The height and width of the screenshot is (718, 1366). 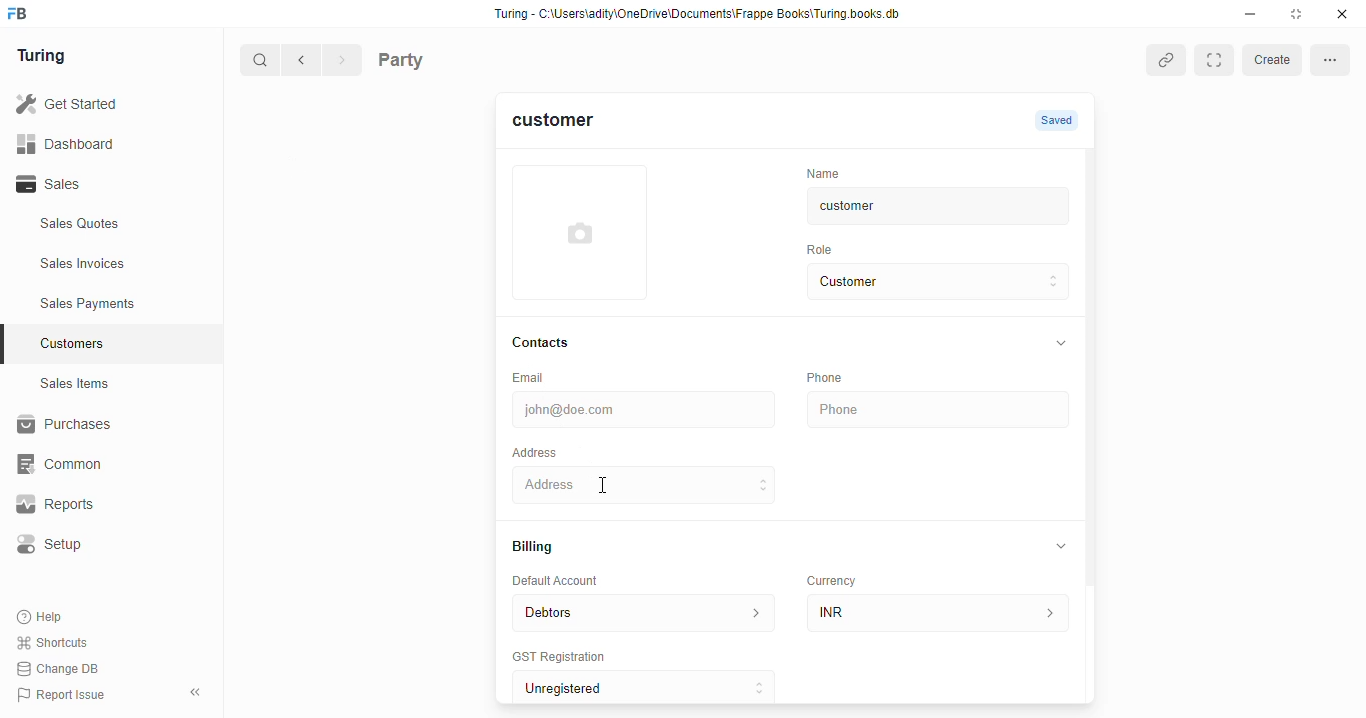 I want to click on ‘Common, so click(x=100, y=464).